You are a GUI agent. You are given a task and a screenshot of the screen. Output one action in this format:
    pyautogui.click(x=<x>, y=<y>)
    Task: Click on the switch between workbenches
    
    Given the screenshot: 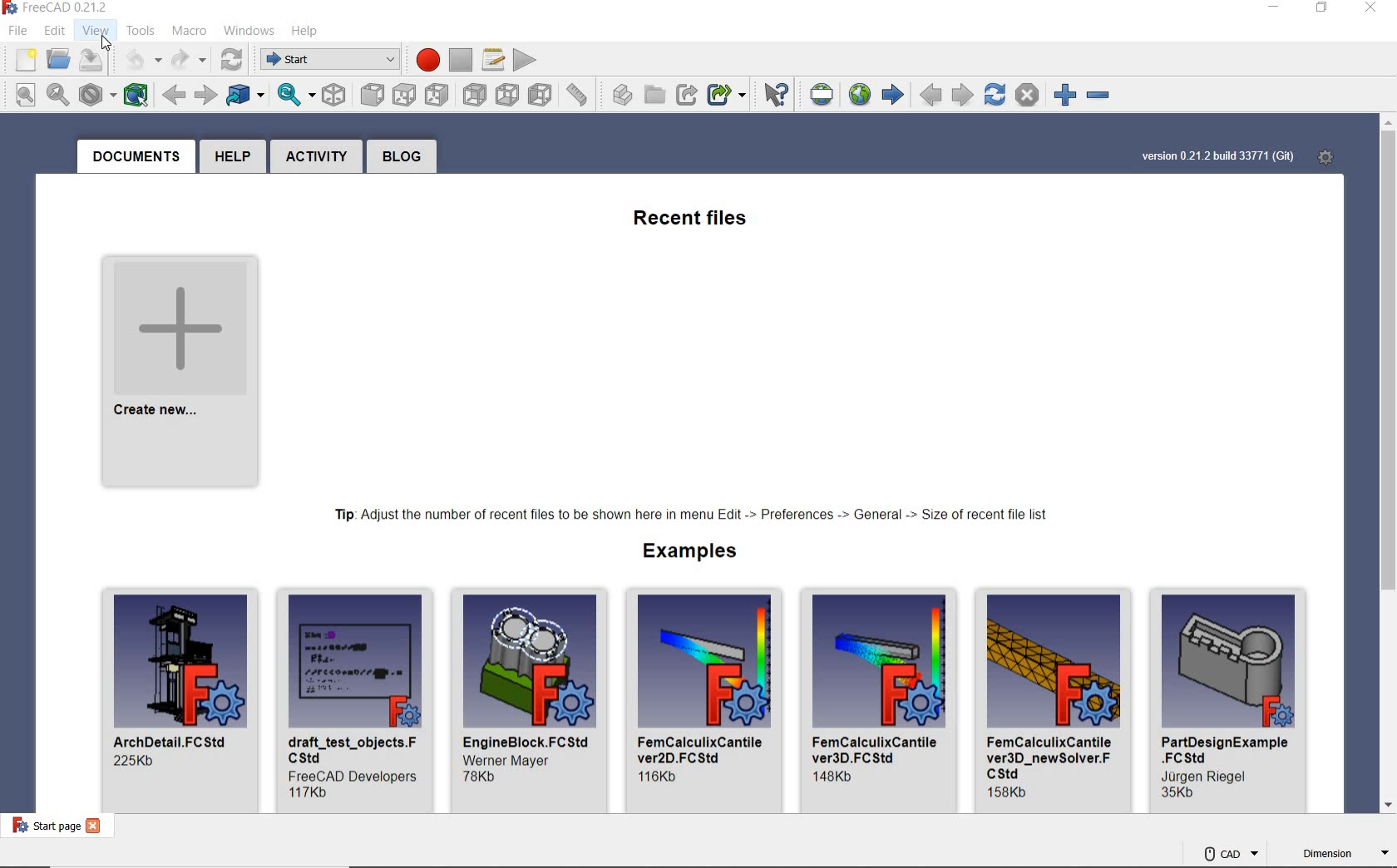 What is the action you would take?
    pyautogui.click(x=326, y=60)
    